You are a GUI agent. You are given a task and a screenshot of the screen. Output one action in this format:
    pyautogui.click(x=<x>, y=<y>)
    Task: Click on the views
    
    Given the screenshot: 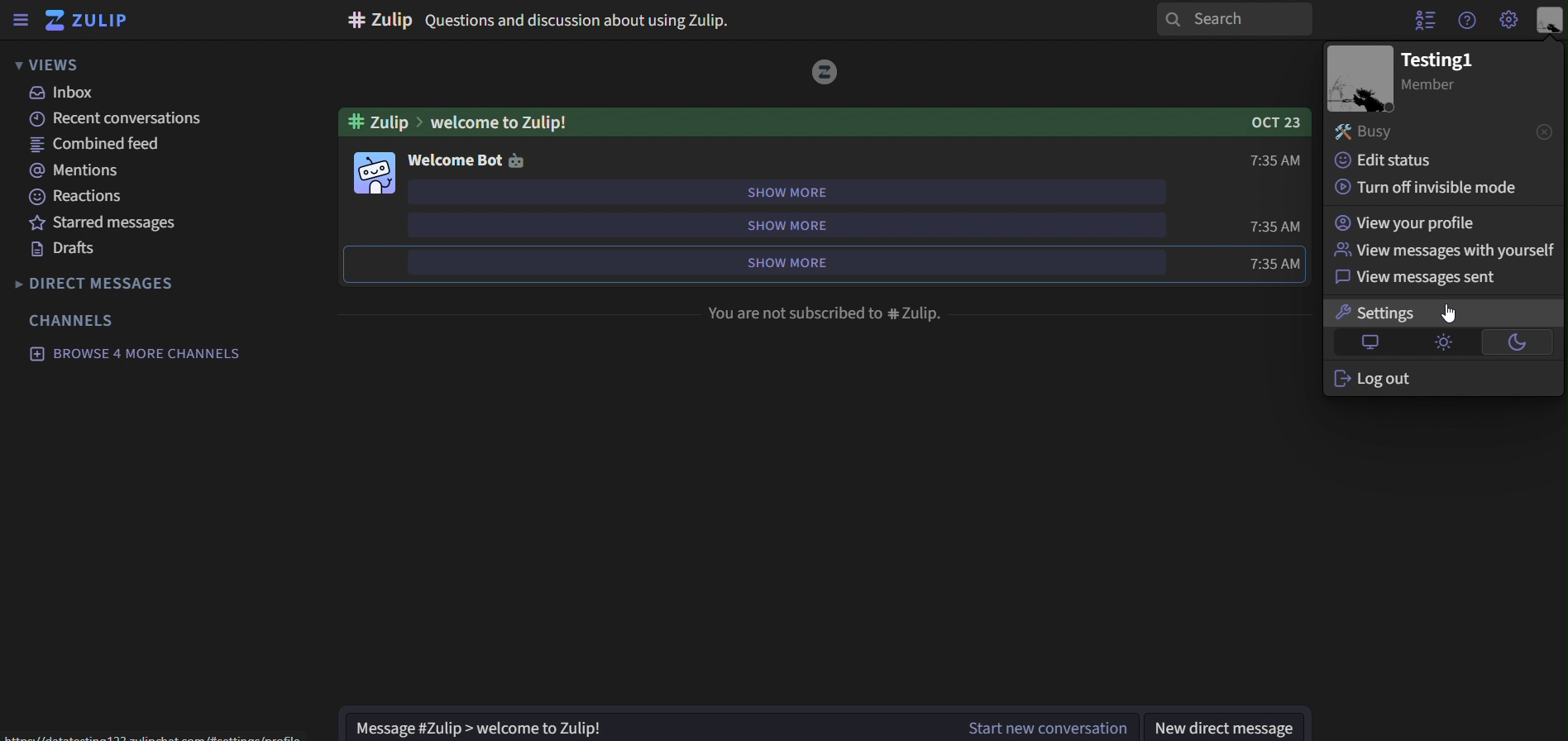 What is the action you would take?
    pyautogui.click(x=52, y=65)
    